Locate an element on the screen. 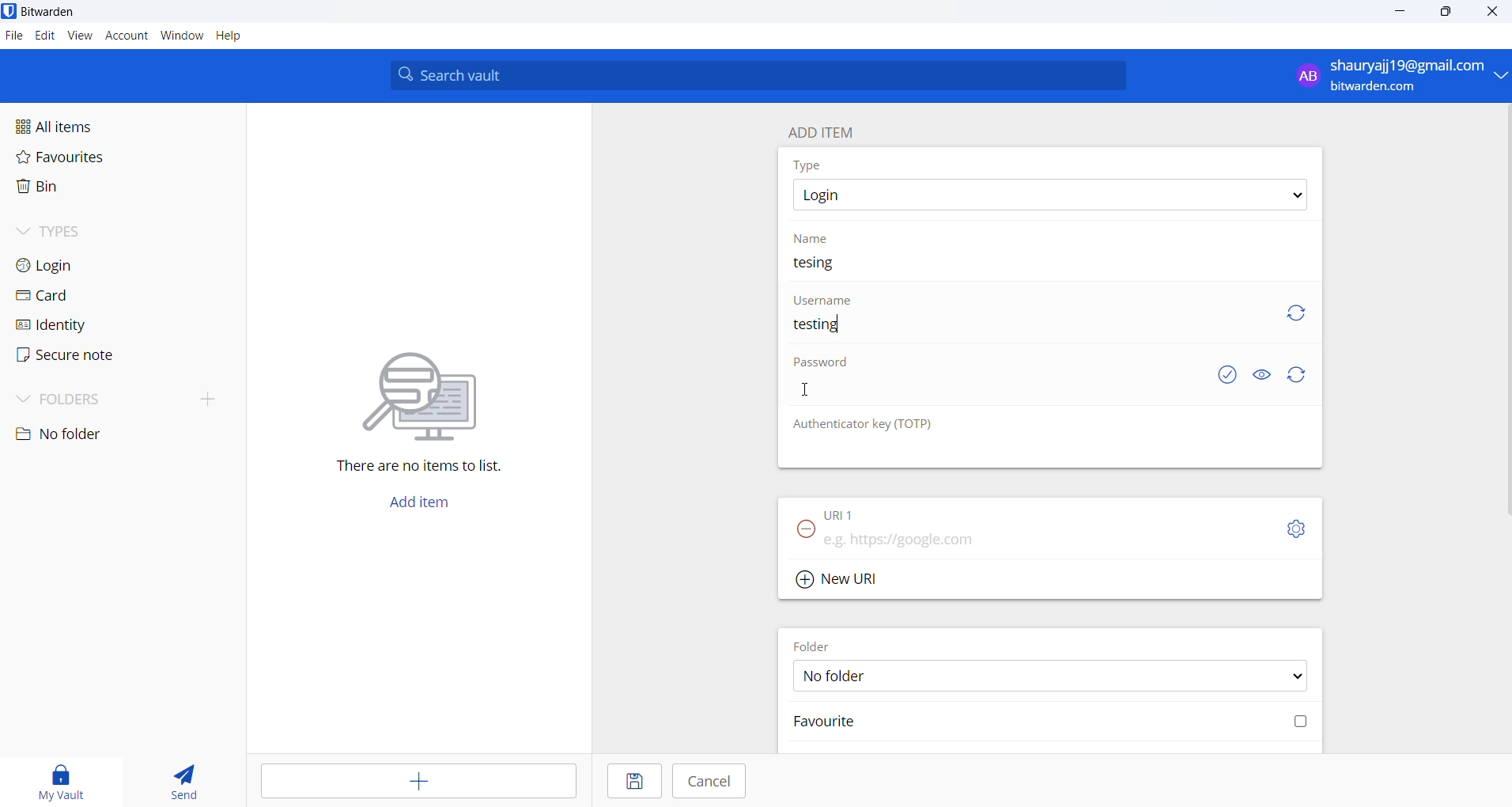  view is located at coordinates (80, 39).